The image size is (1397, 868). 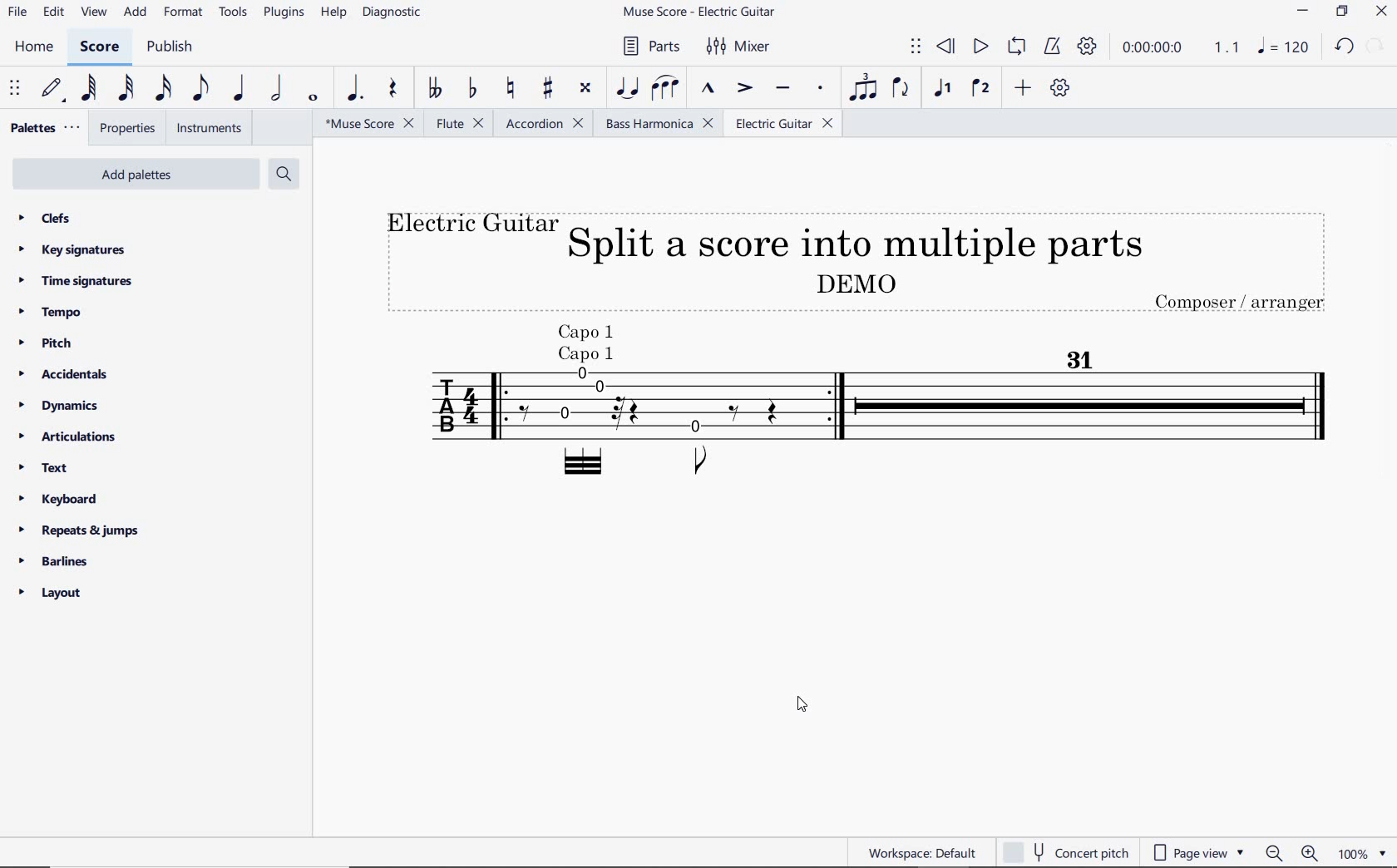 What do you see at coordinates (65, 438) in the screenshot?
I see `articulations` at bounding box center [65, 438].